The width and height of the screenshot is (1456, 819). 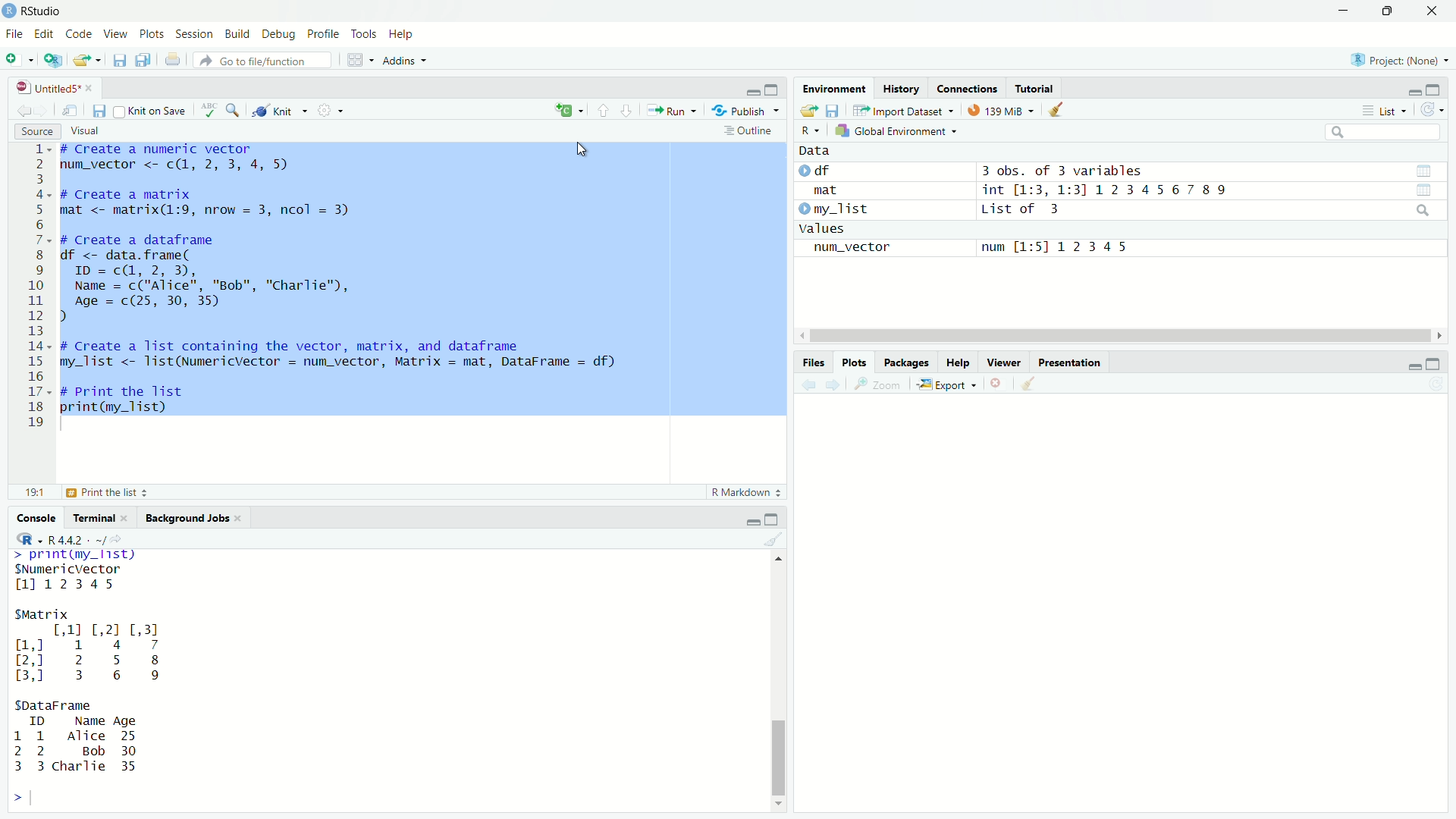 I want to click on scroll bar, so click(x=778, y=679).